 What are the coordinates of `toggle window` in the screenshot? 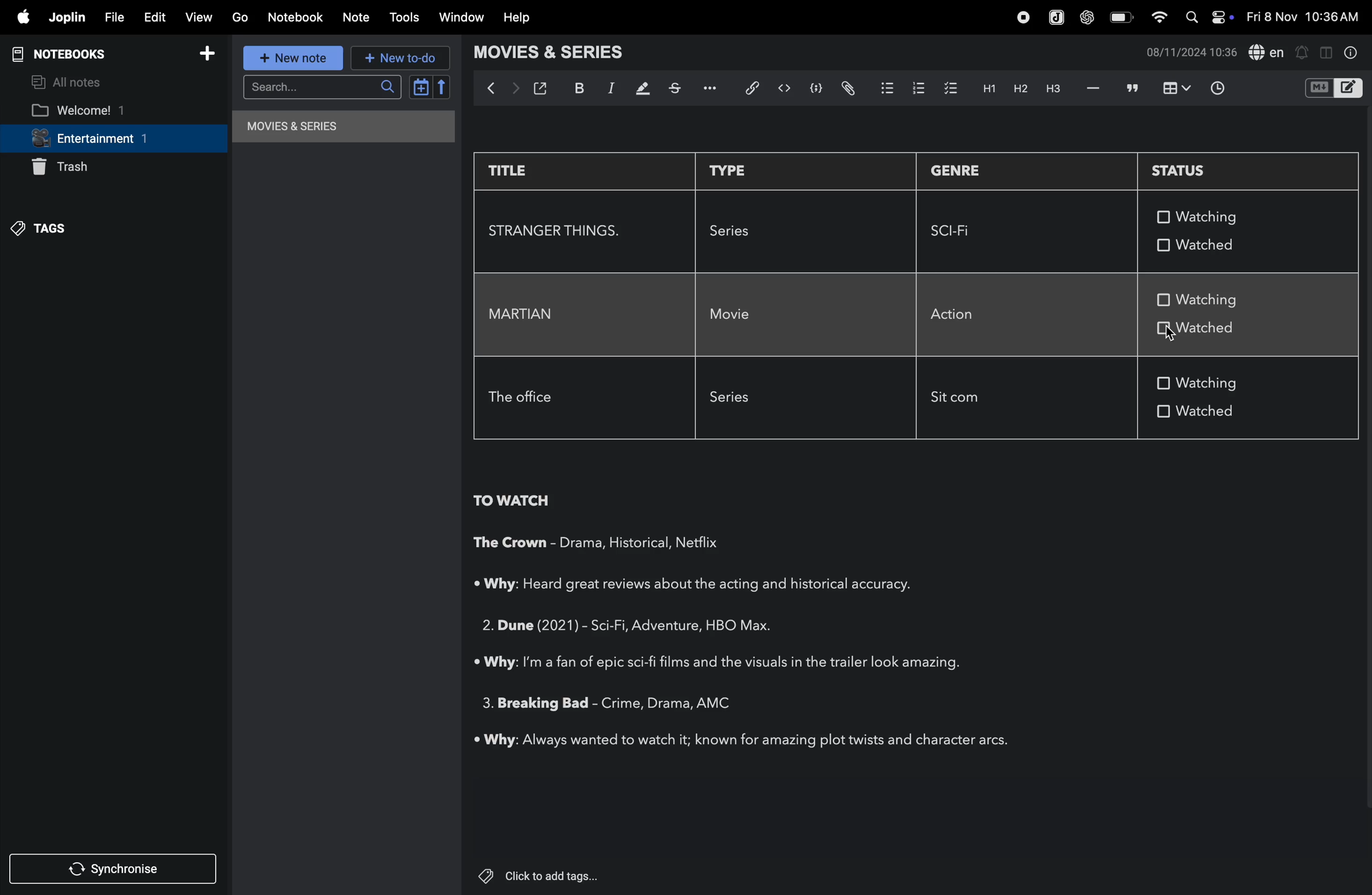 It's located at (1327, 51).